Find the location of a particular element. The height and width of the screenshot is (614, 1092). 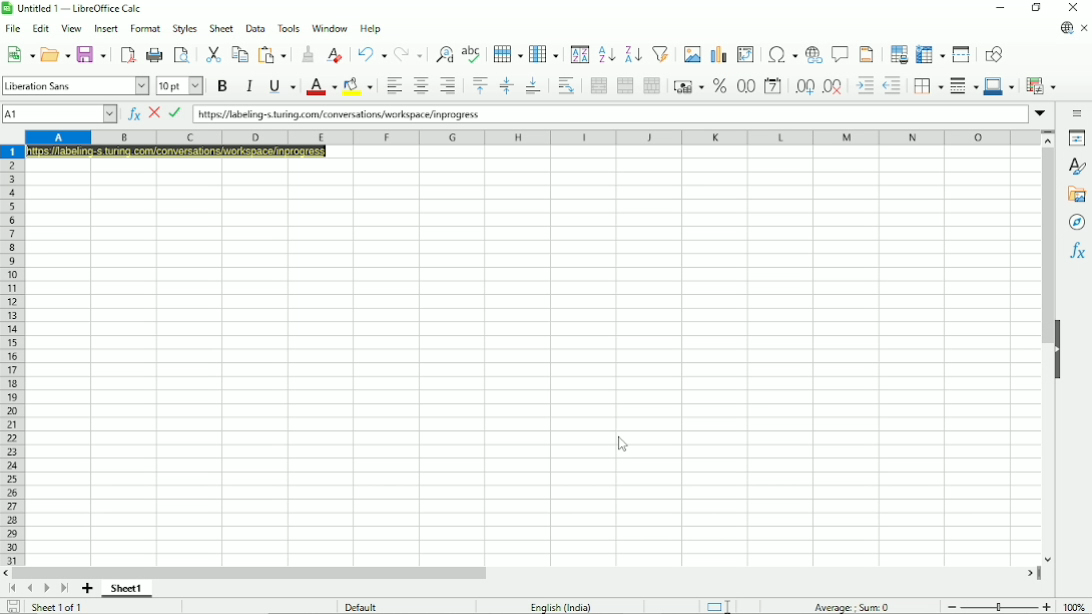

Headers and footers is located at coordinates (866, 54).